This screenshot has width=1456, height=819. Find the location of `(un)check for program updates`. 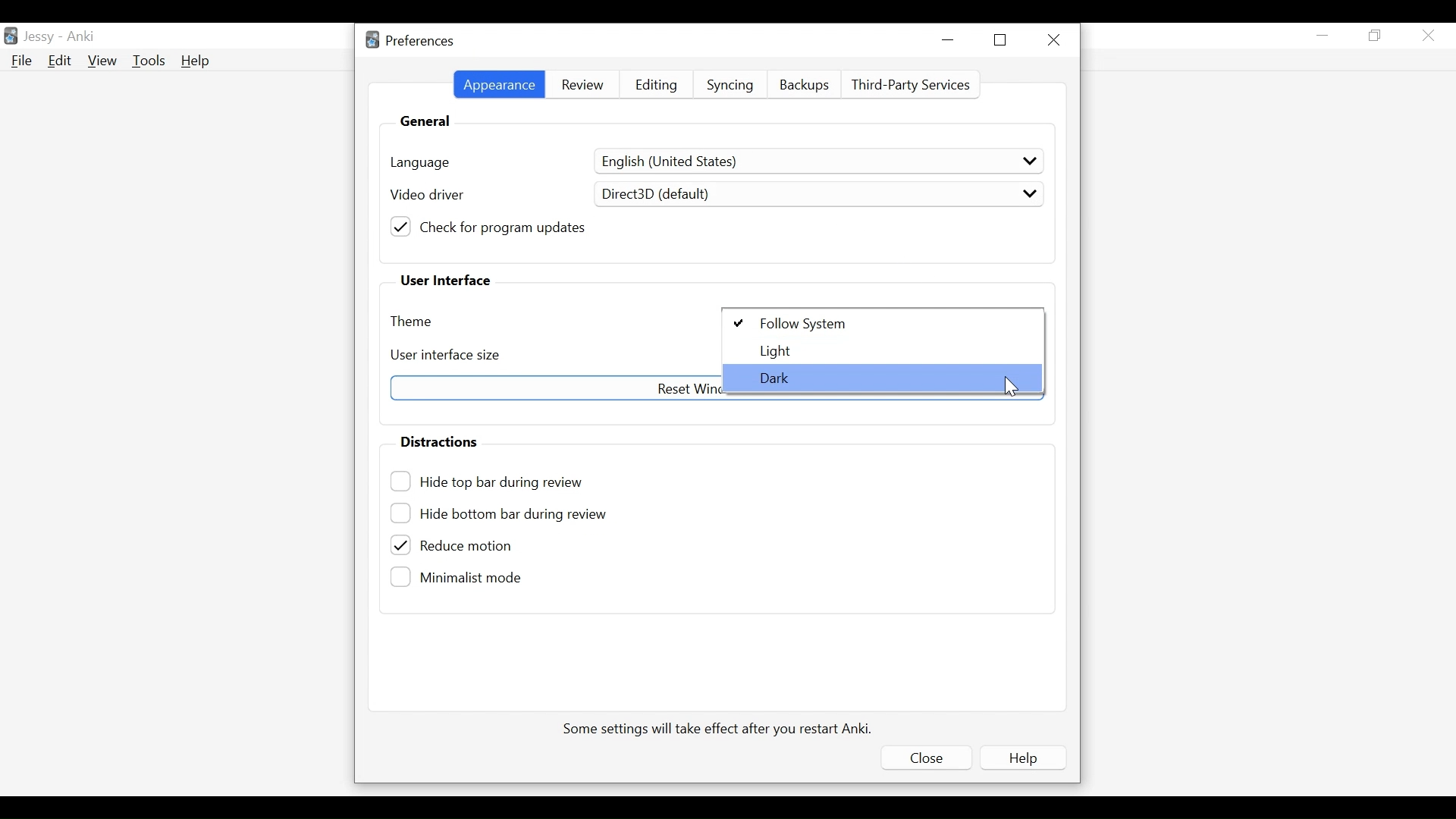

(un)check for program updates is located at coordinates (491, 226).